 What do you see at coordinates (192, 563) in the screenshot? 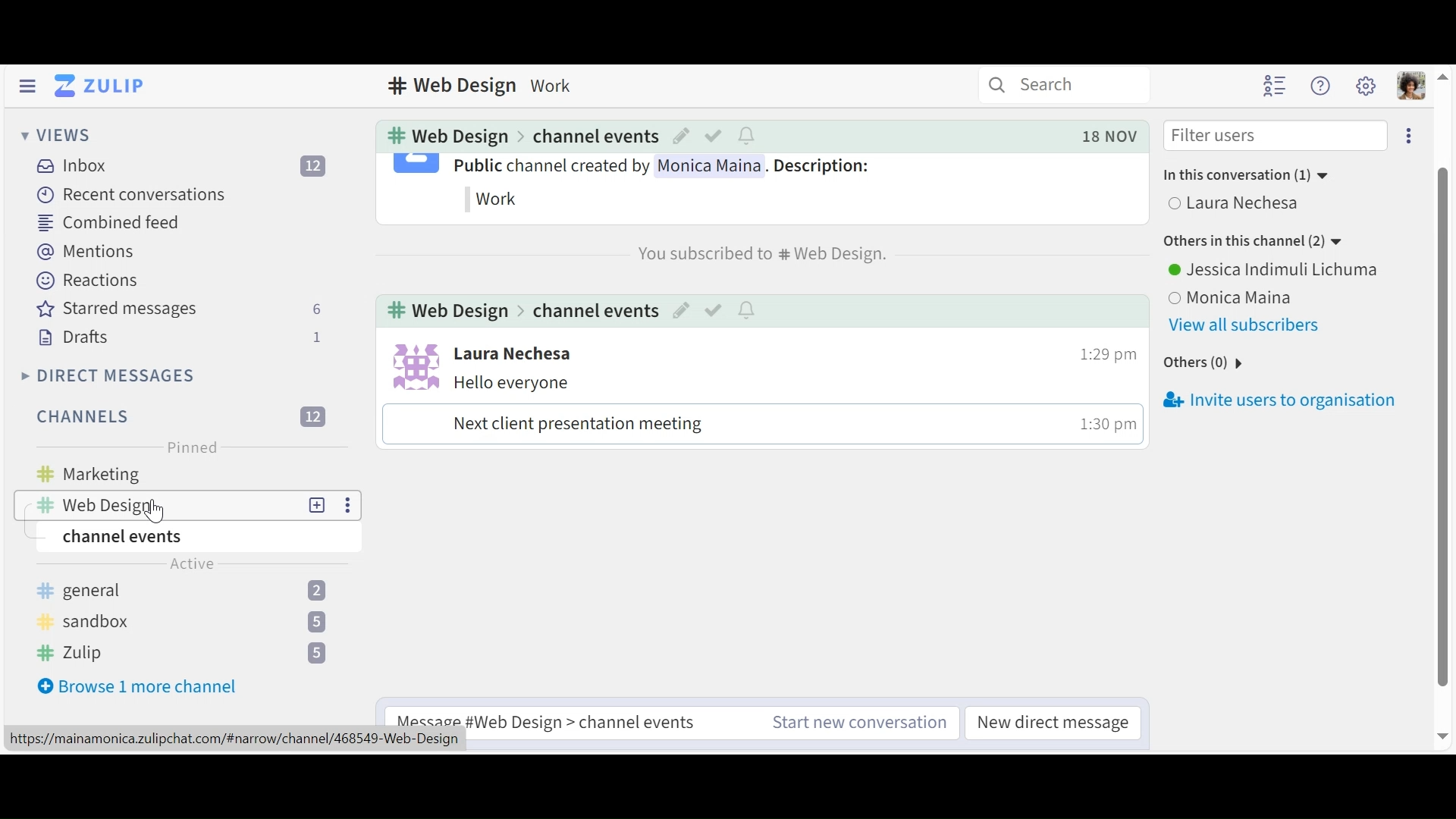
I see `Active` at bounding box center [192, 563].